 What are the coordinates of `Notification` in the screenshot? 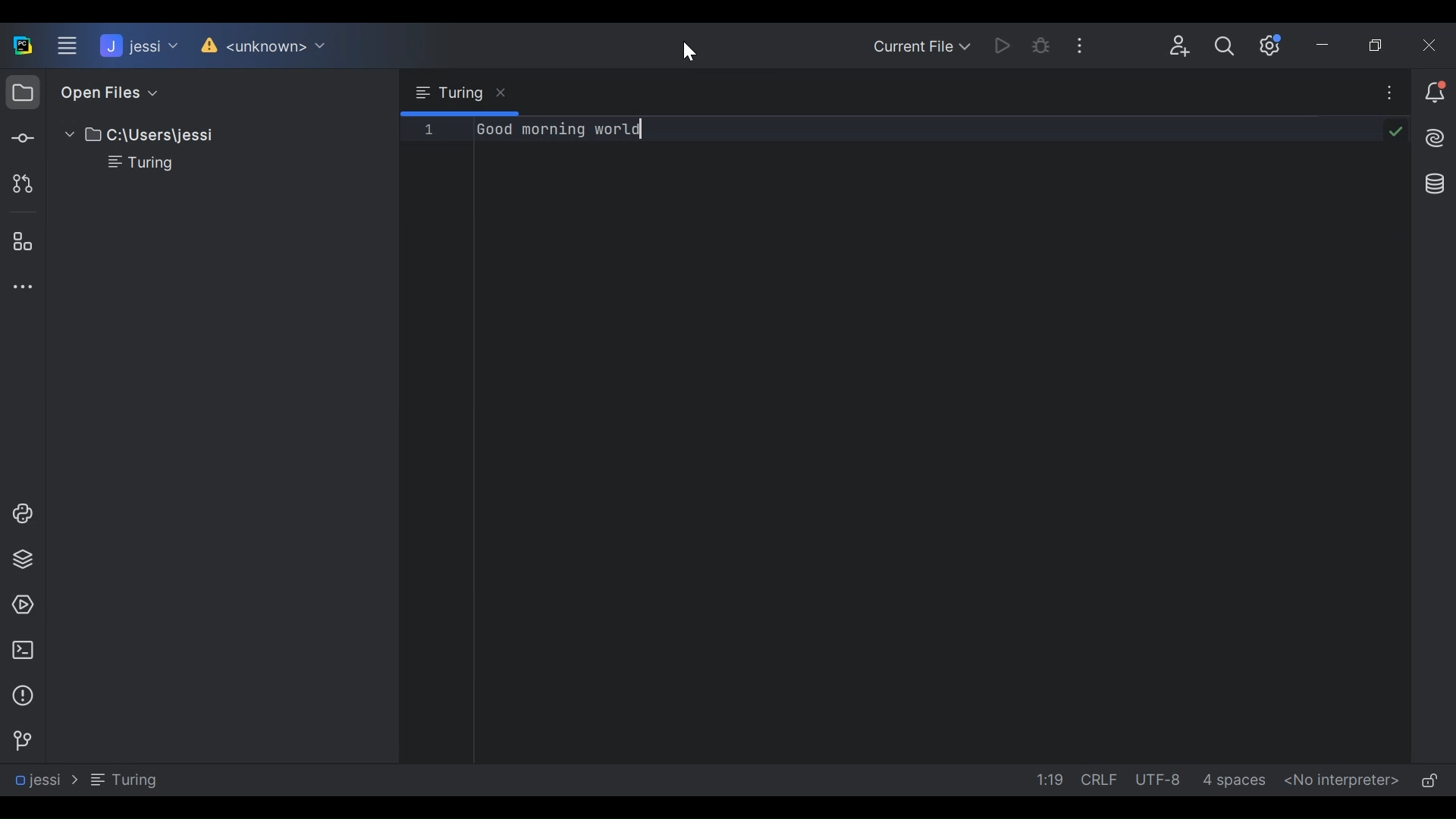 It's located at (1436, 93).